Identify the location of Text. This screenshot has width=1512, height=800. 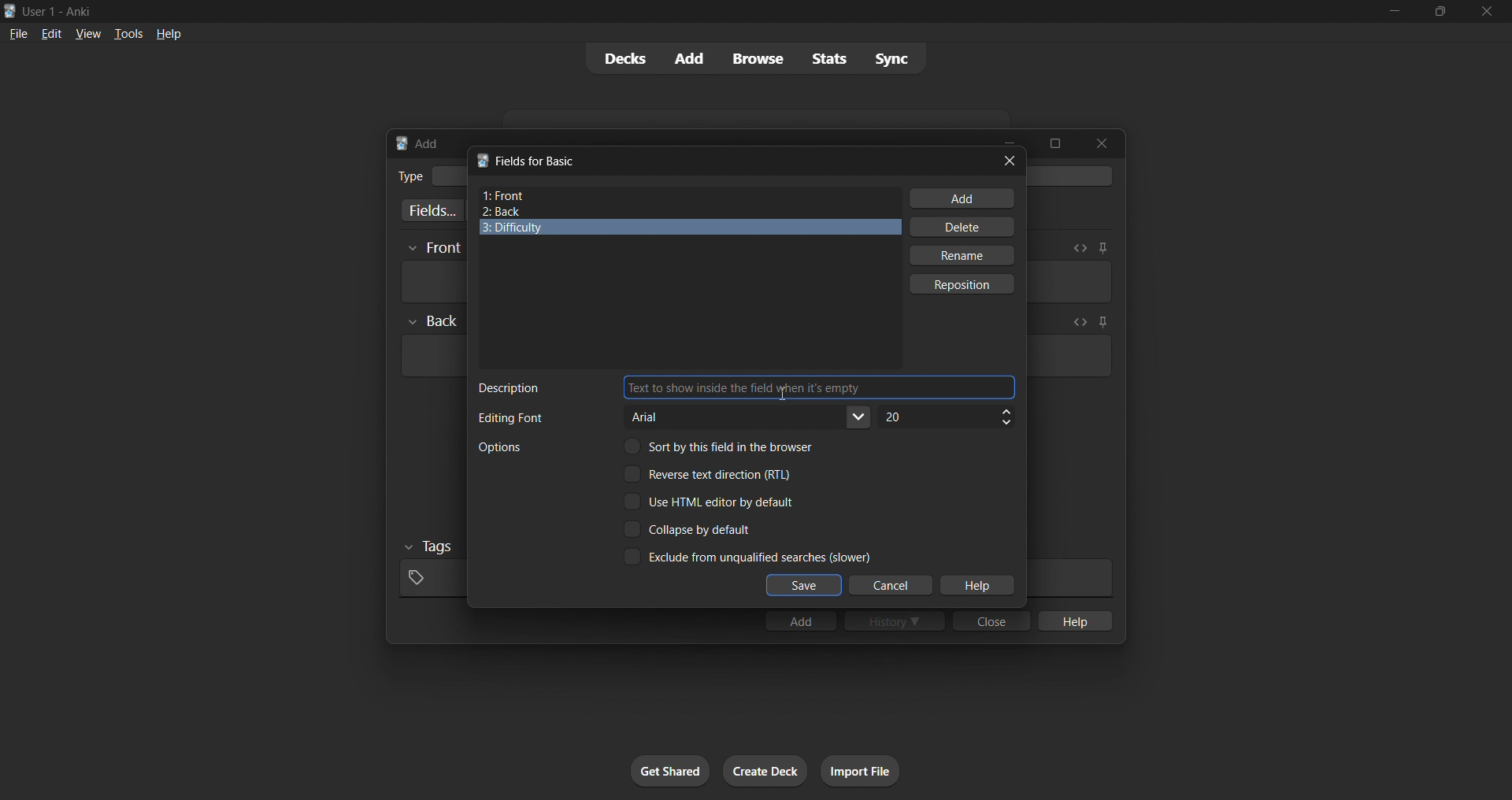
(510, 418).